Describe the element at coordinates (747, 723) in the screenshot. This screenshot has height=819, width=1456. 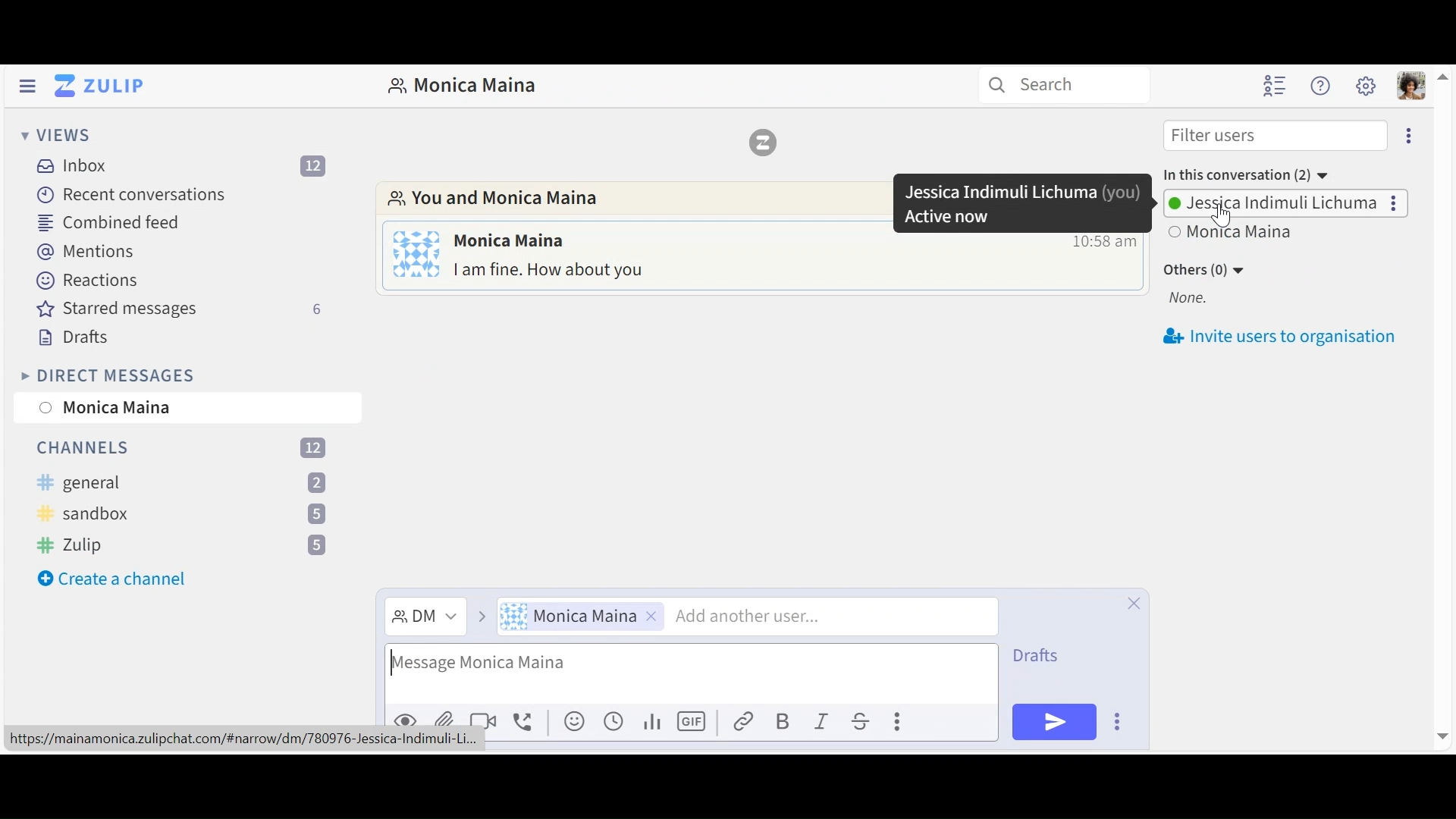
I see `Link` at that location.